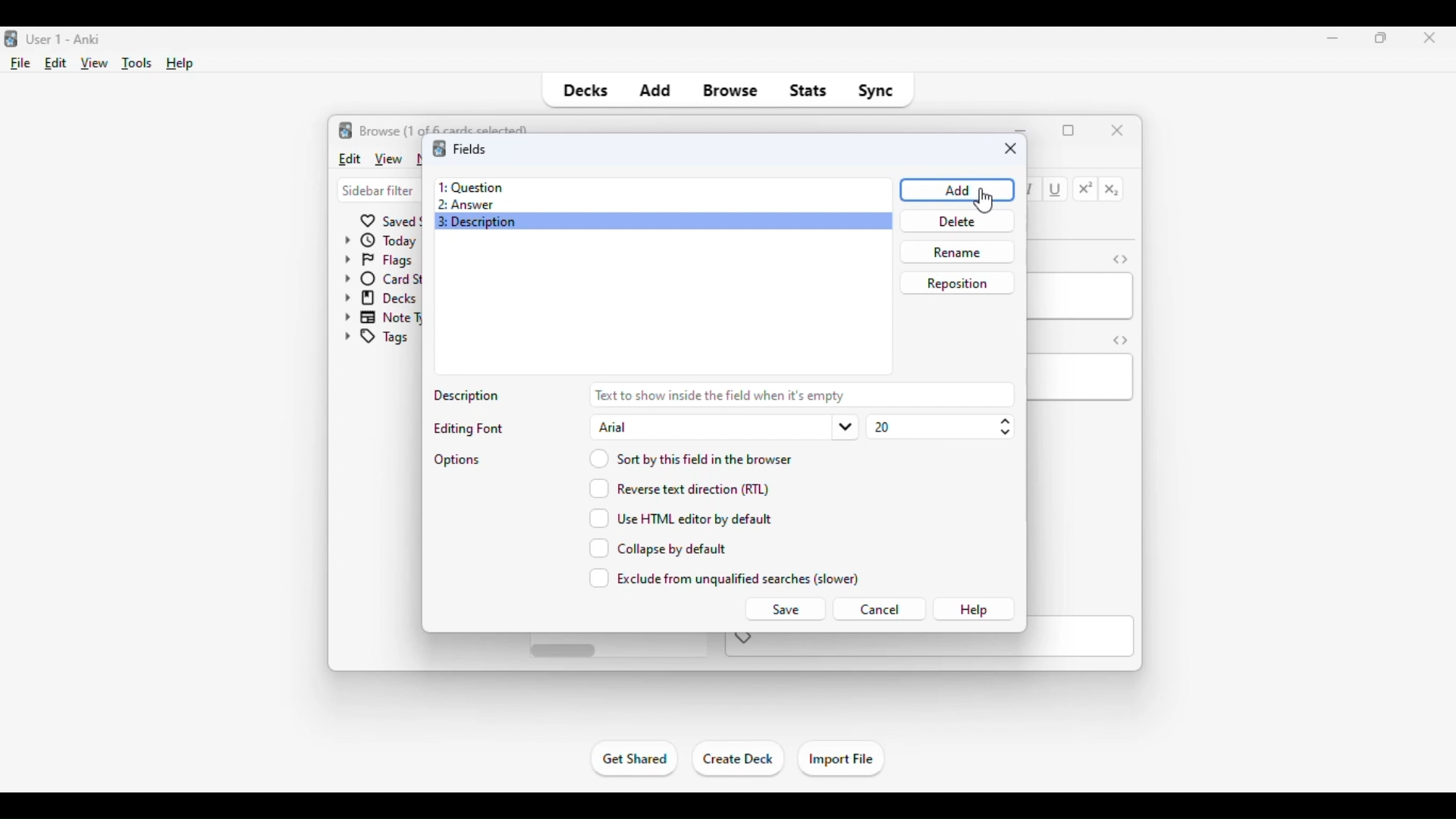 This screenshot has height=819, width=1456. Describe the element at coordinates (1425, 39) in the screenshot. I see `close` at that location.